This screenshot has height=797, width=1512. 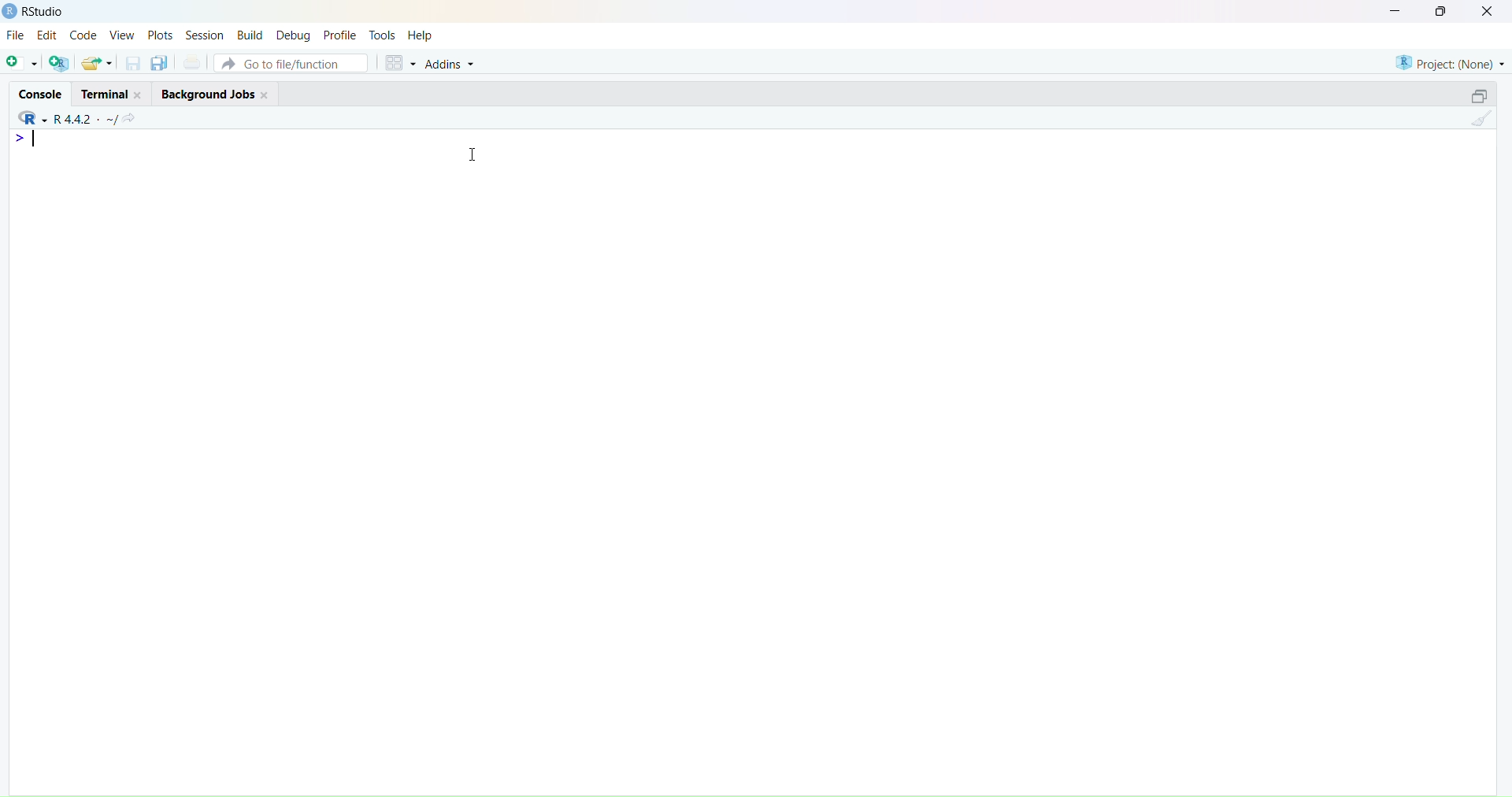 I want to click on session, so click(x=206, y=36).